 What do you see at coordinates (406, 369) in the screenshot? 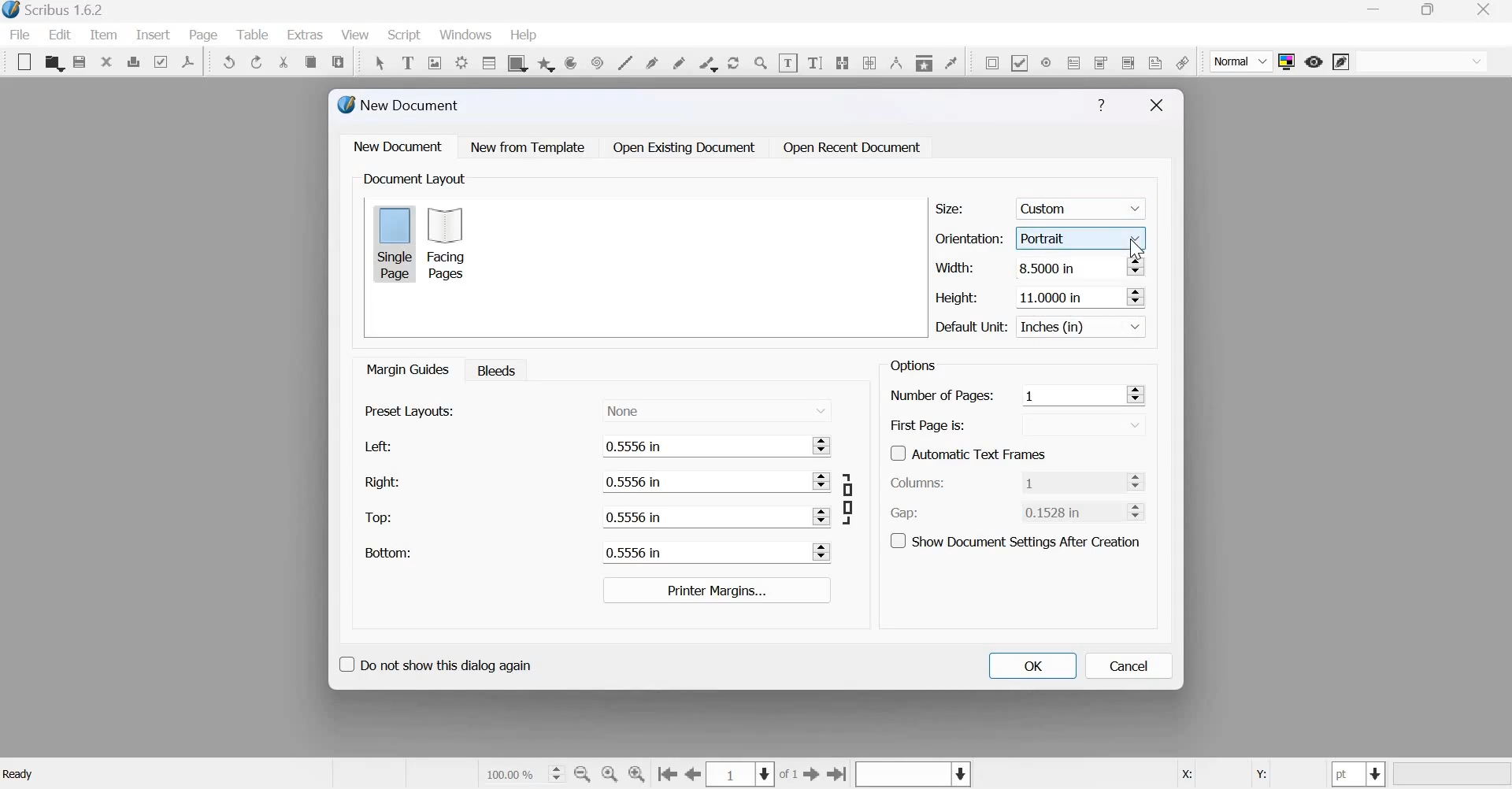
I see `Margin guides` at bounding box center [406, 369].